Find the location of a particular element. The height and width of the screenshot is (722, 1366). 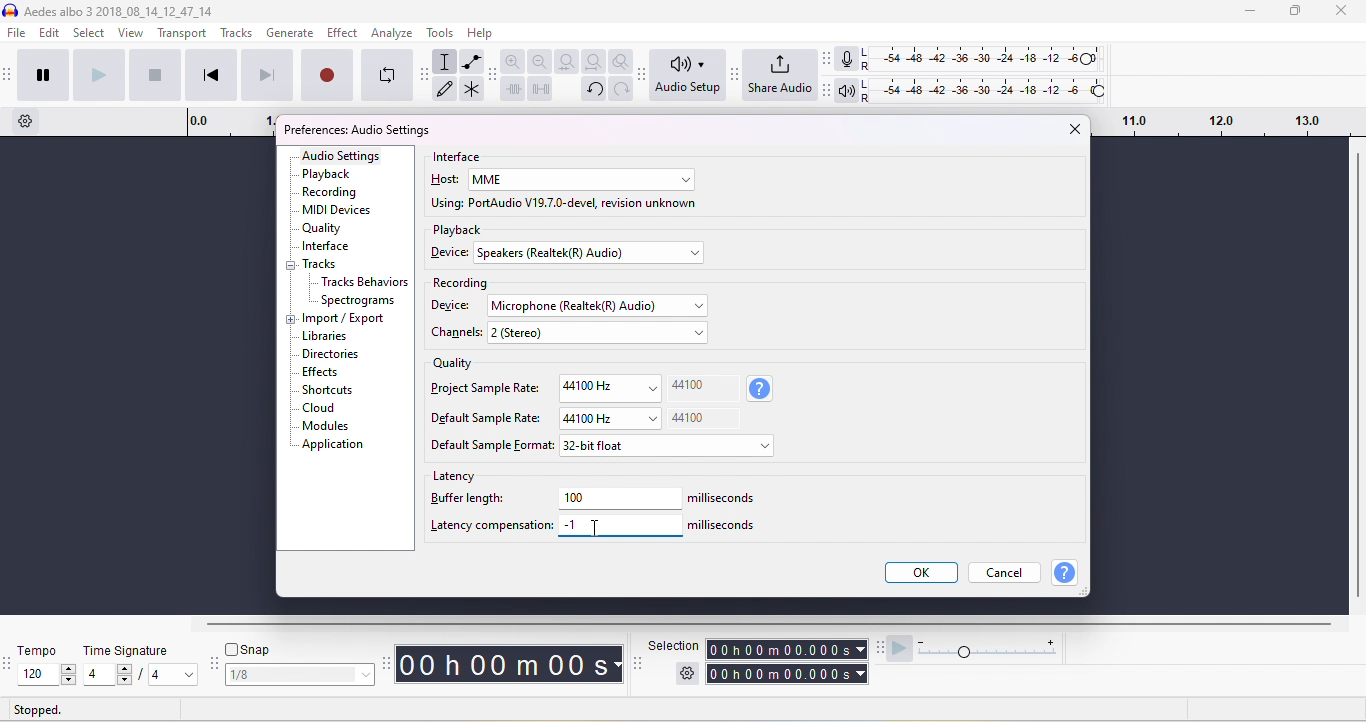

Audacity audio setup toolbar is located at coordinates (643, 75).